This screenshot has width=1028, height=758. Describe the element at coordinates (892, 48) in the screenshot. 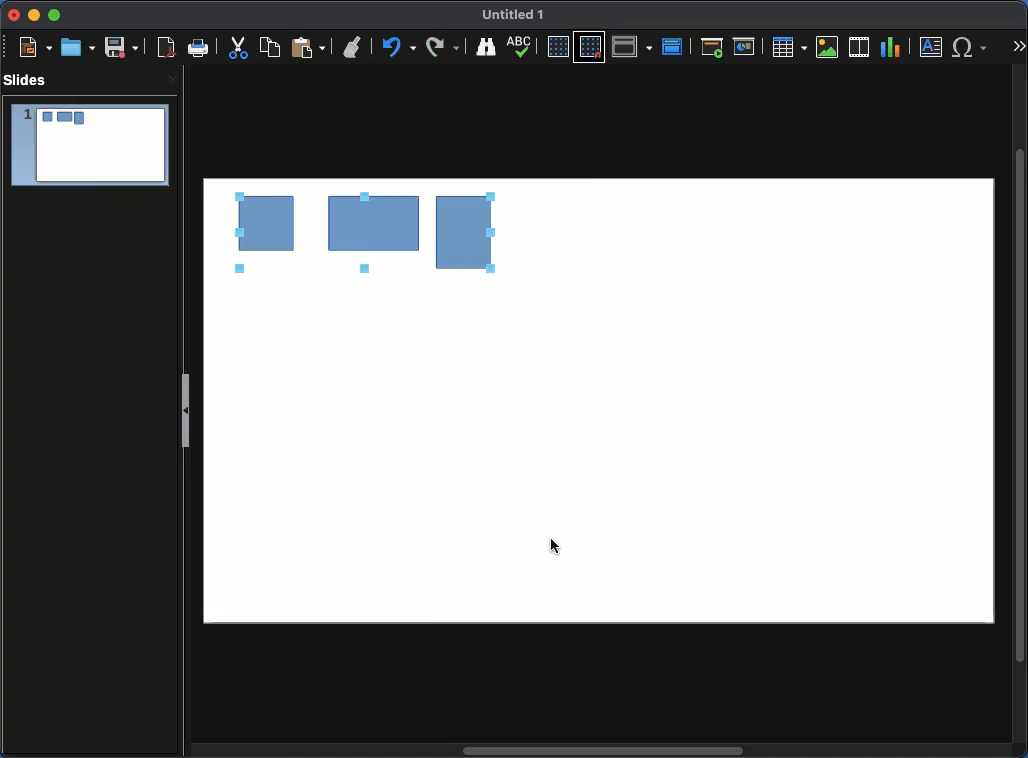

I see `Chart` at that location.